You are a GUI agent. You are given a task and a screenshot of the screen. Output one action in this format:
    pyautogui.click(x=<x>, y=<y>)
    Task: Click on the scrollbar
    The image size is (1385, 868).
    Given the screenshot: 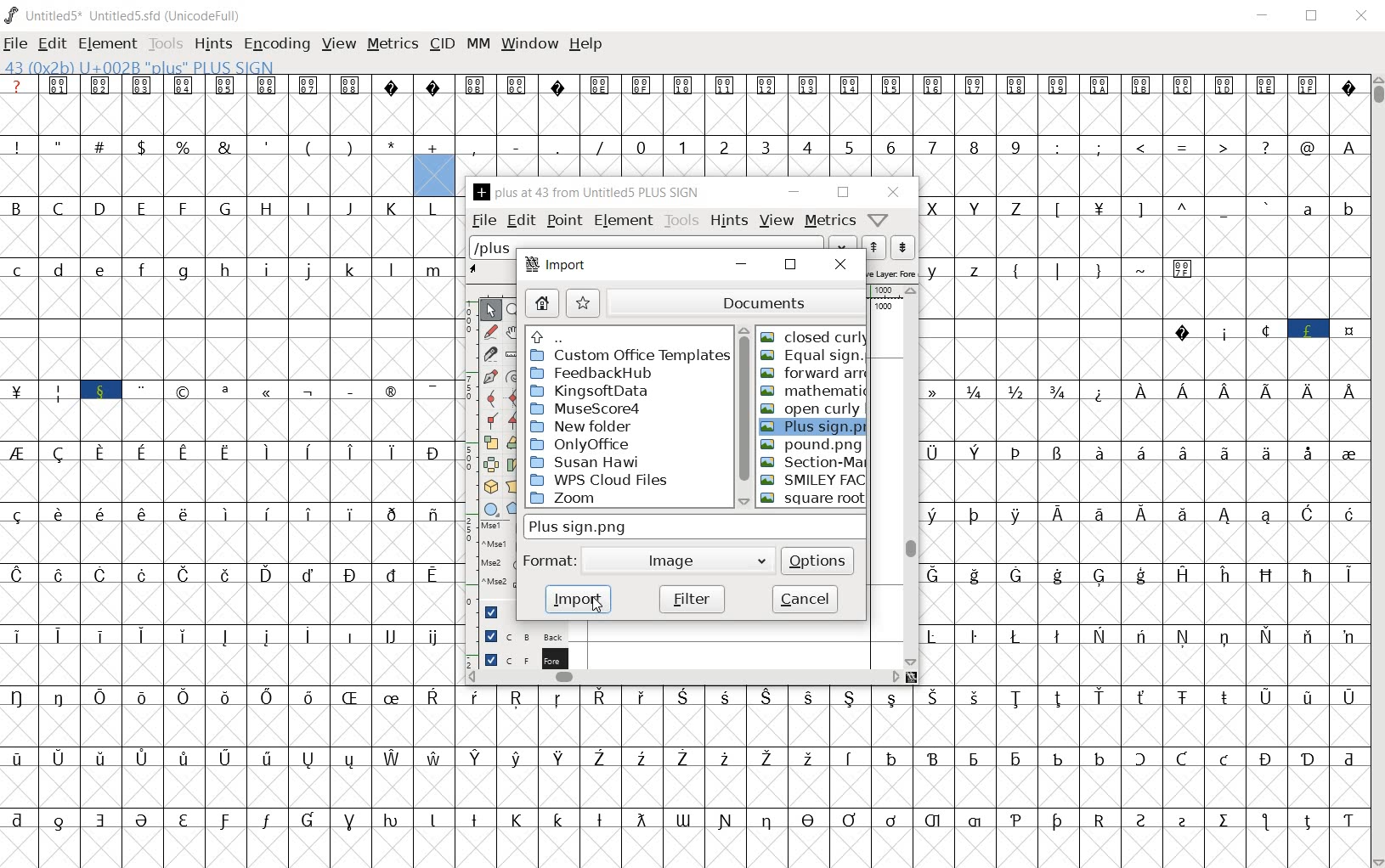 What is the action you would take?
    pyautogui.click(x=744, y=416)
    